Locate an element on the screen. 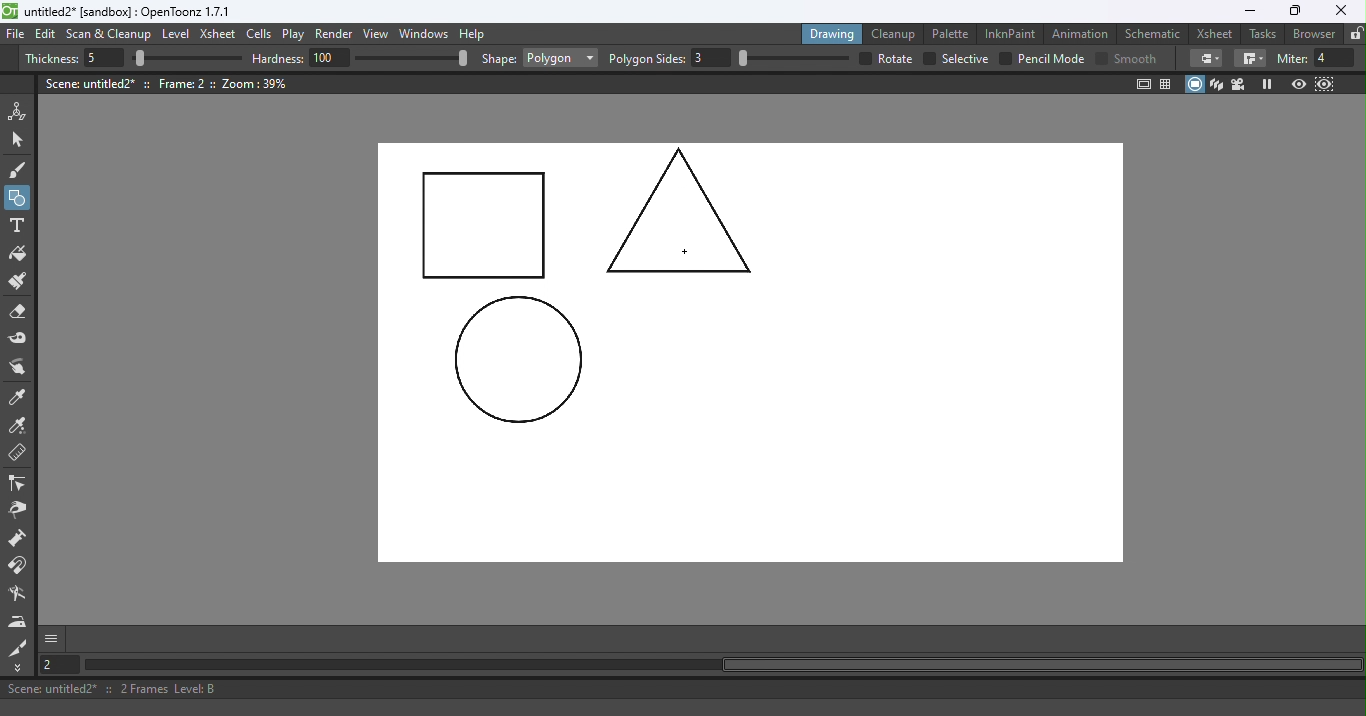  Safe area is located at coordinates (1142, 84).